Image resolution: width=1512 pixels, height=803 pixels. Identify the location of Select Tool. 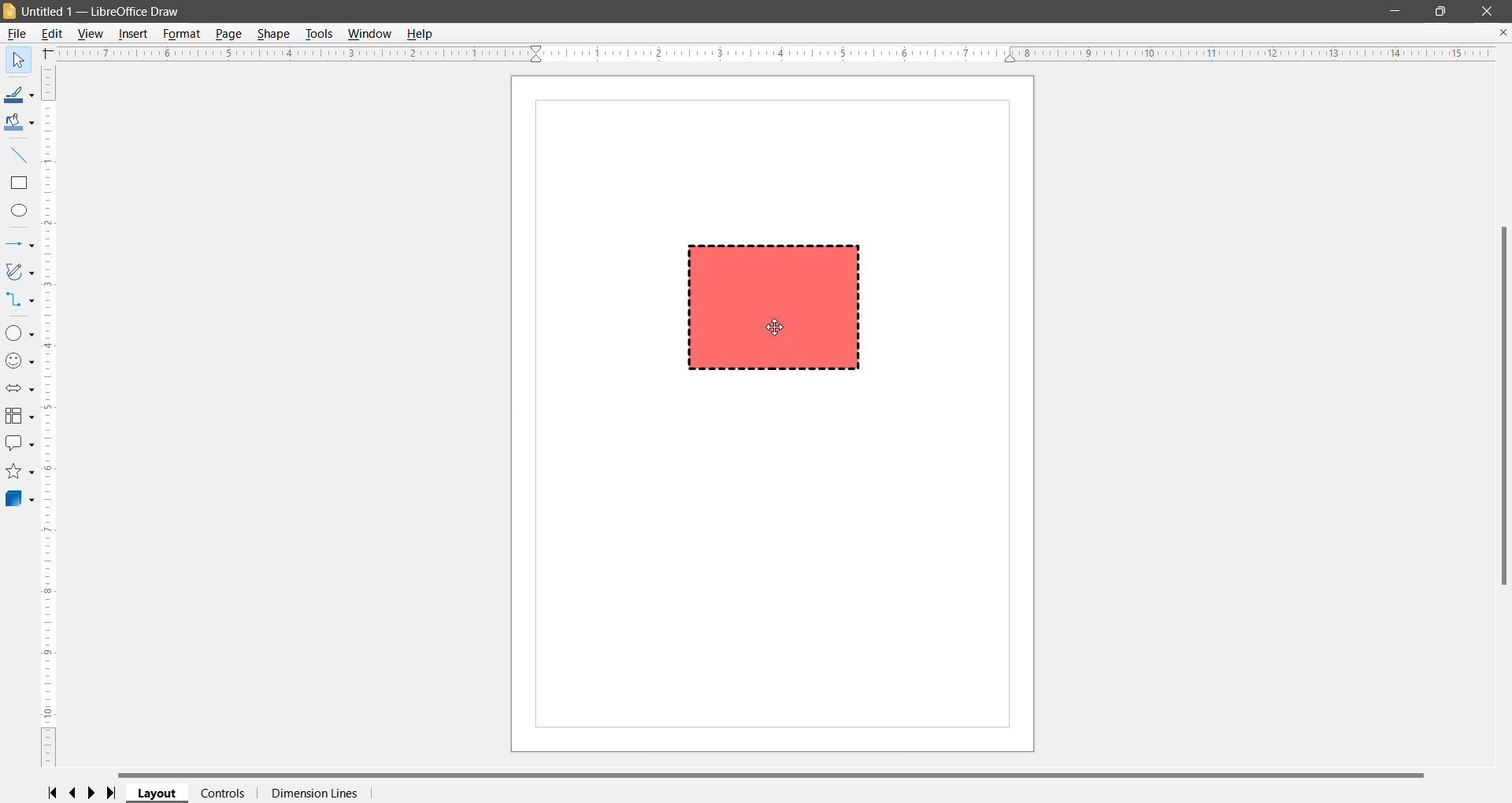
(20, 60).